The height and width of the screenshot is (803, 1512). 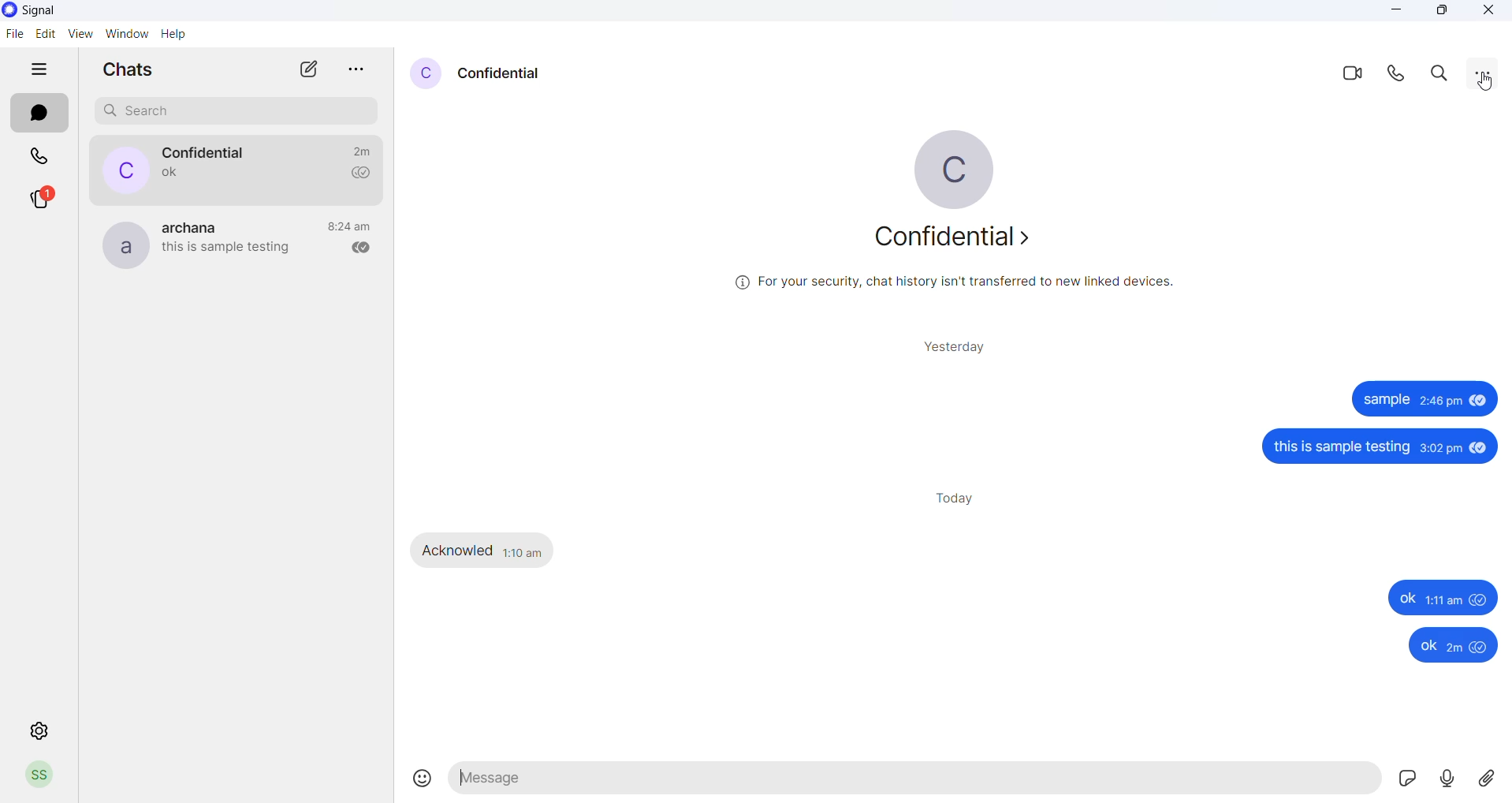 I want to click on calls, so click(x=40, y=155).